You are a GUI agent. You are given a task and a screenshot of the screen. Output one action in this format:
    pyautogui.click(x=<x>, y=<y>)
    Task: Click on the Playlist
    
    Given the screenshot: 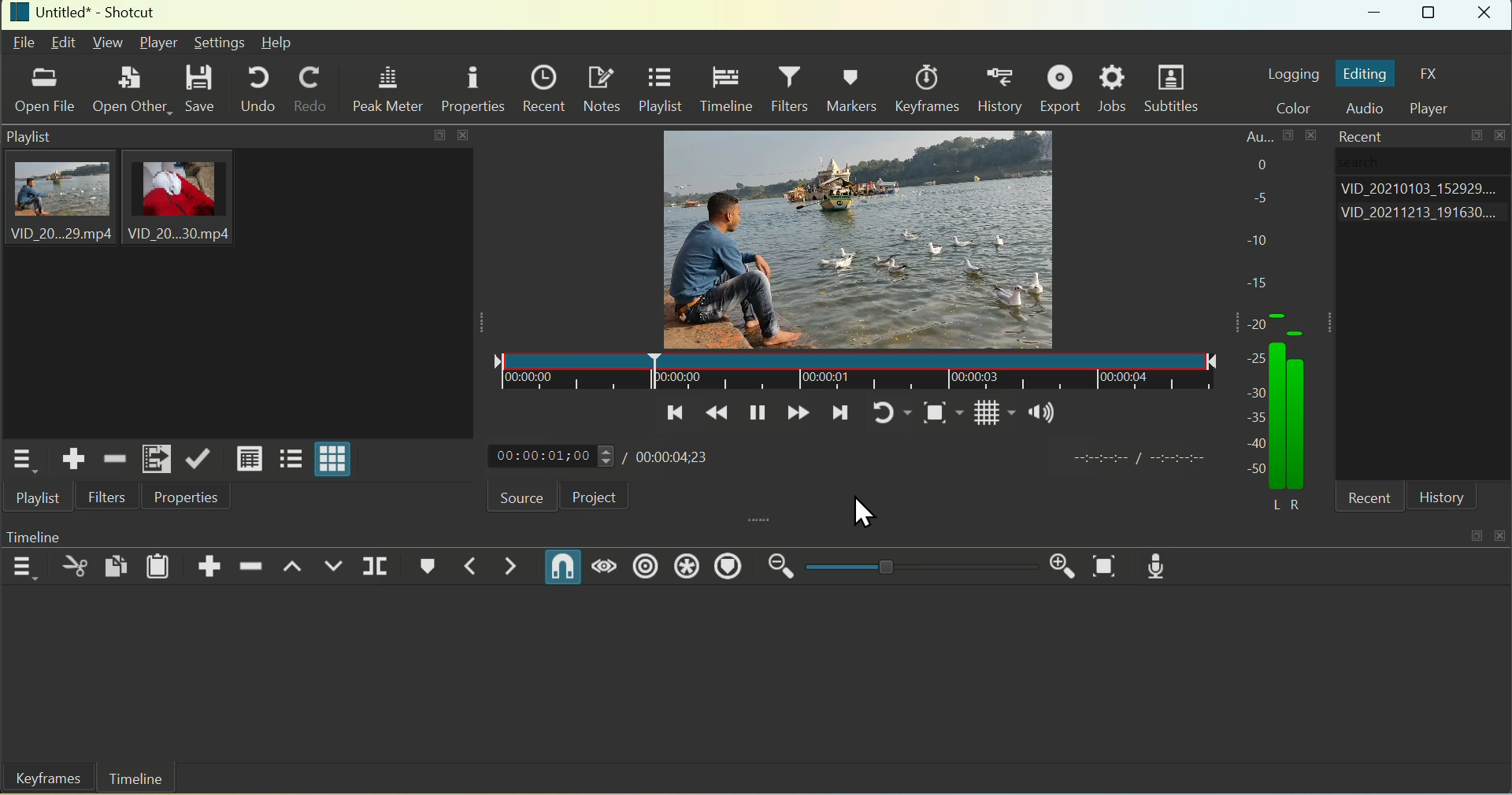 What is the action you would take?
    pyautogui.click(x=41, y=499)
    